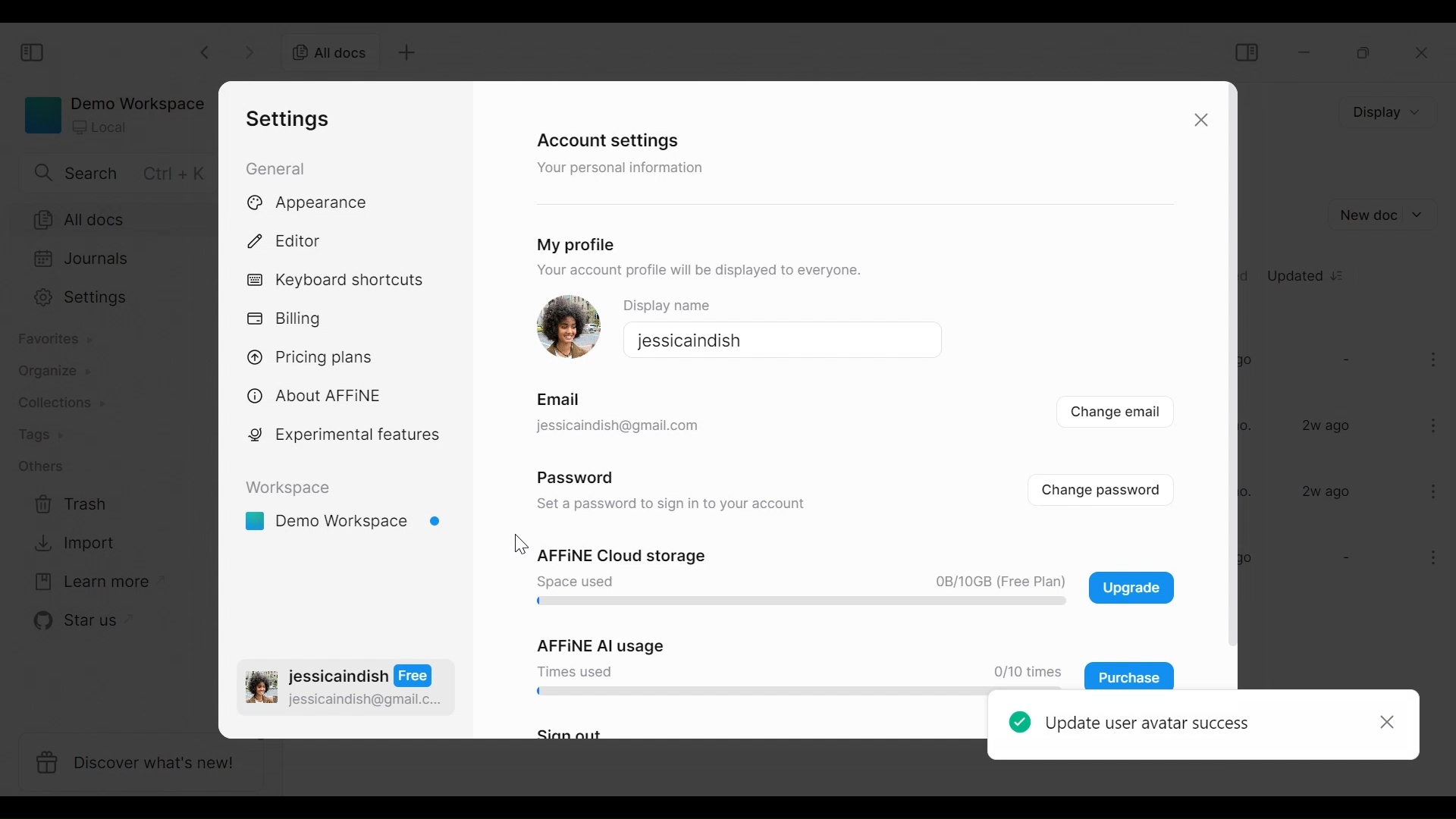  I want to click on Times used, so click(575, 670).